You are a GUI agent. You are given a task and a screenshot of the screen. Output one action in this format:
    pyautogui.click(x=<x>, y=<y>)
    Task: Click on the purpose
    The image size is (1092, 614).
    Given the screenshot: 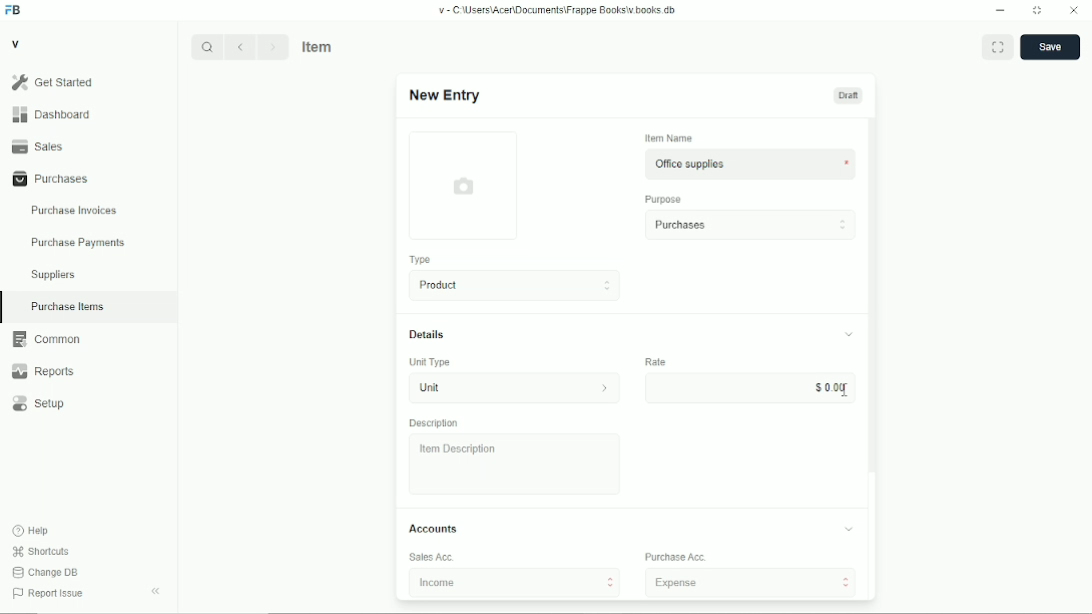 What is the action you would take?
    pyautogui.click(x=664, y=200)
    